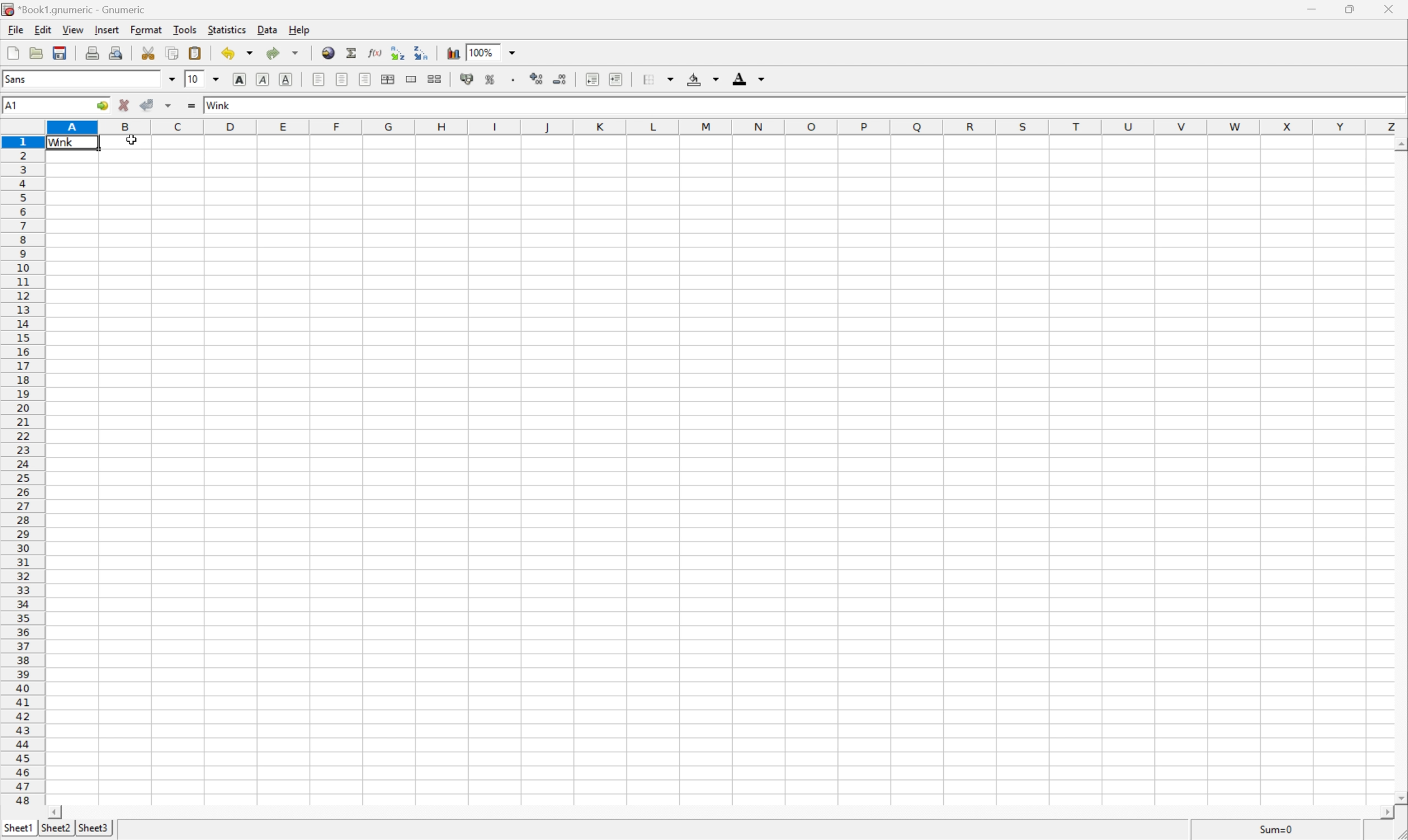  I want to click on wink, so click(217, 105).